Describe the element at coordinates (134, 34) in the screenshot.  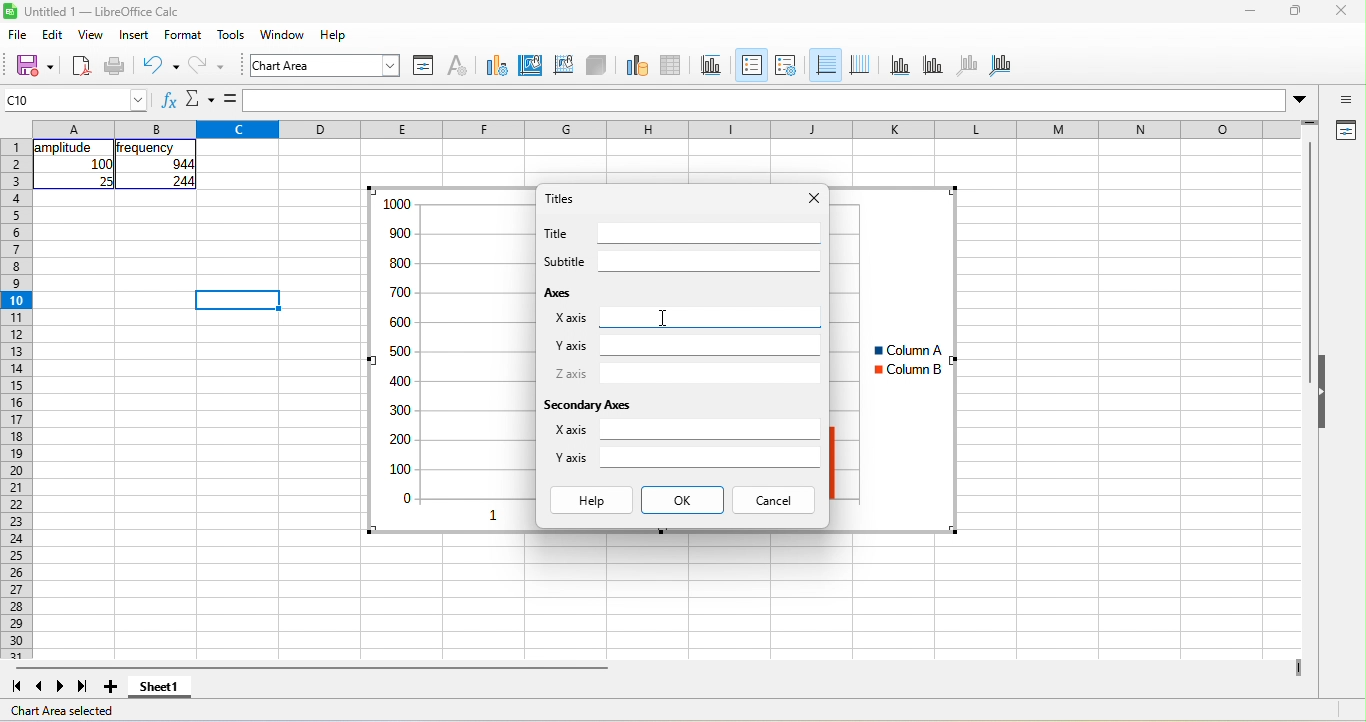
I see `insert` at that location.